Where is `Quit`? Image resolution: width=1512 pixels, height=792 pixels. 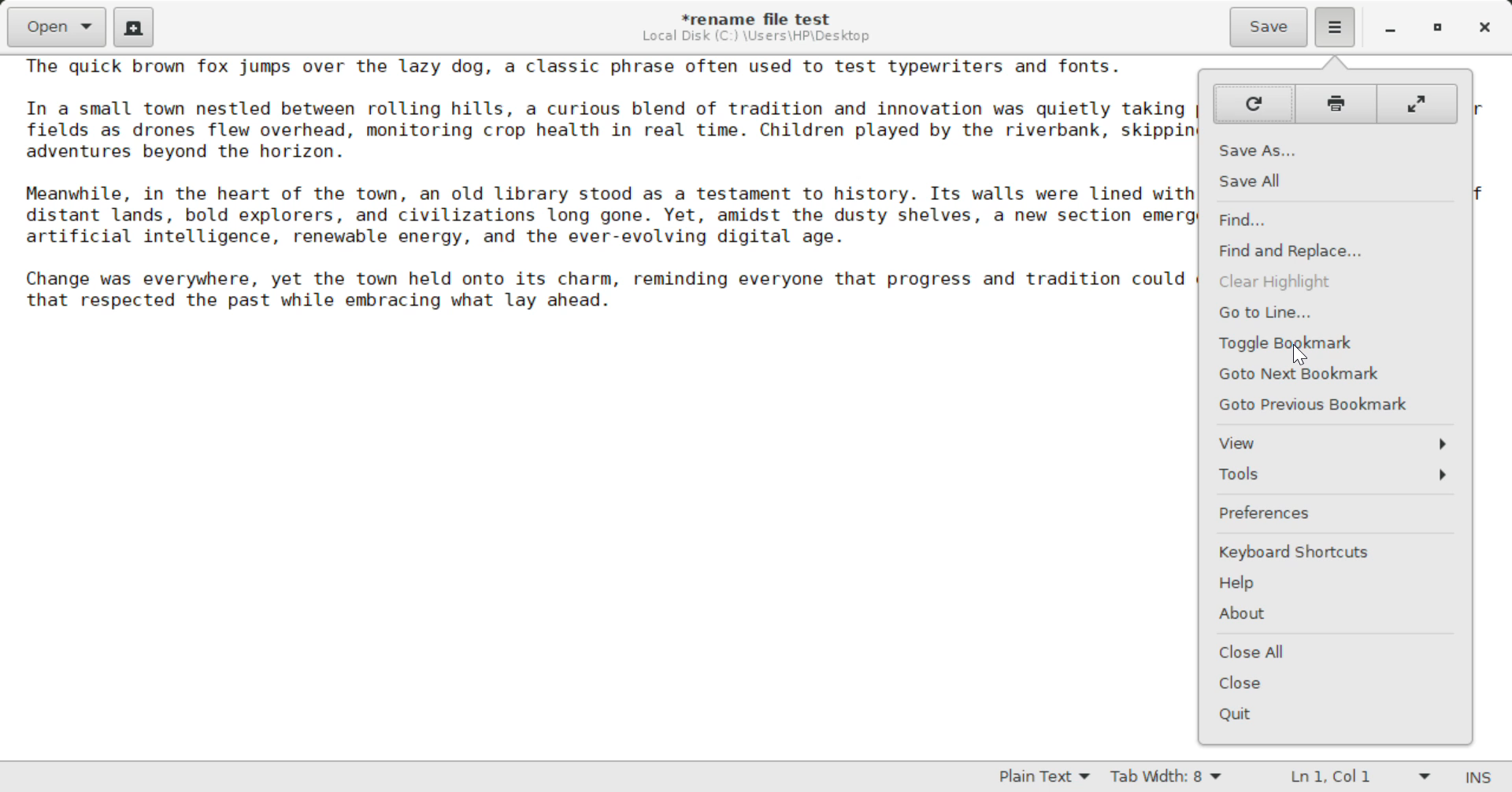 Quit is located at coordinates (1334, 712).